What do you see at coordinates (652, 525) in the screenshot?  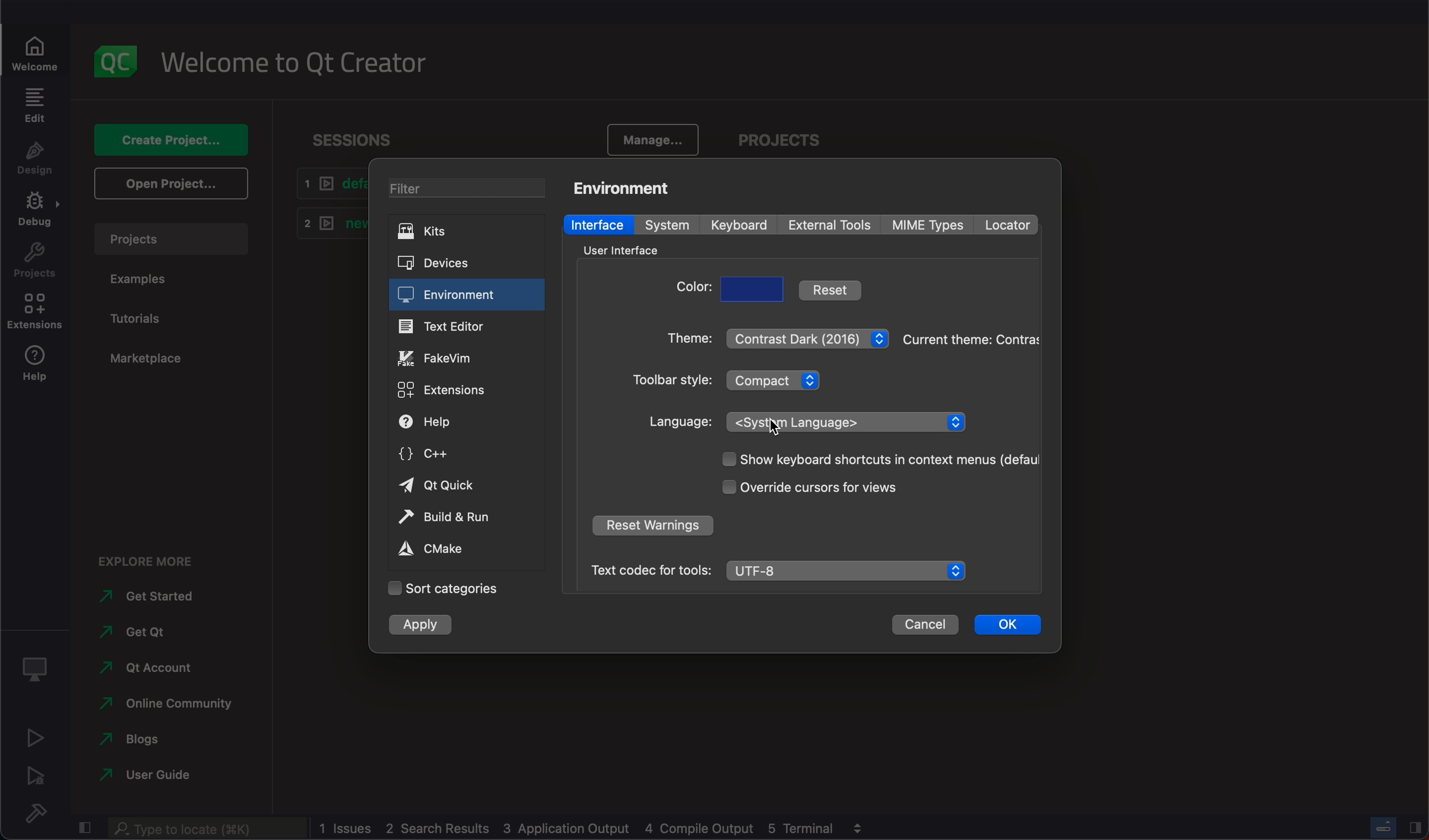 I see `reser` at bounding box center [652, 525].